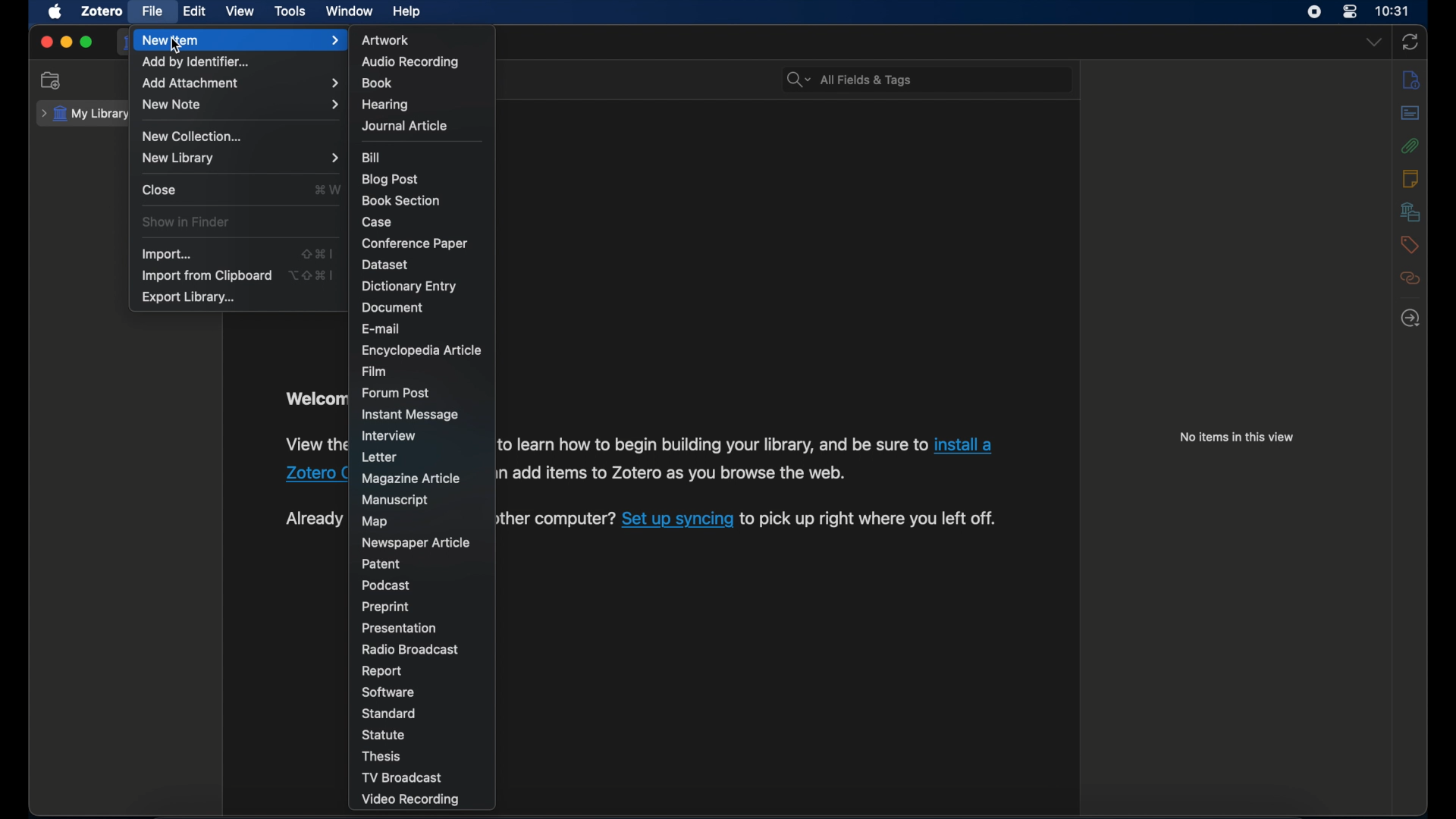  What do you see at coordinates (392, 307) in the screenshot?
I see `document` at bounding box center [392, 307].